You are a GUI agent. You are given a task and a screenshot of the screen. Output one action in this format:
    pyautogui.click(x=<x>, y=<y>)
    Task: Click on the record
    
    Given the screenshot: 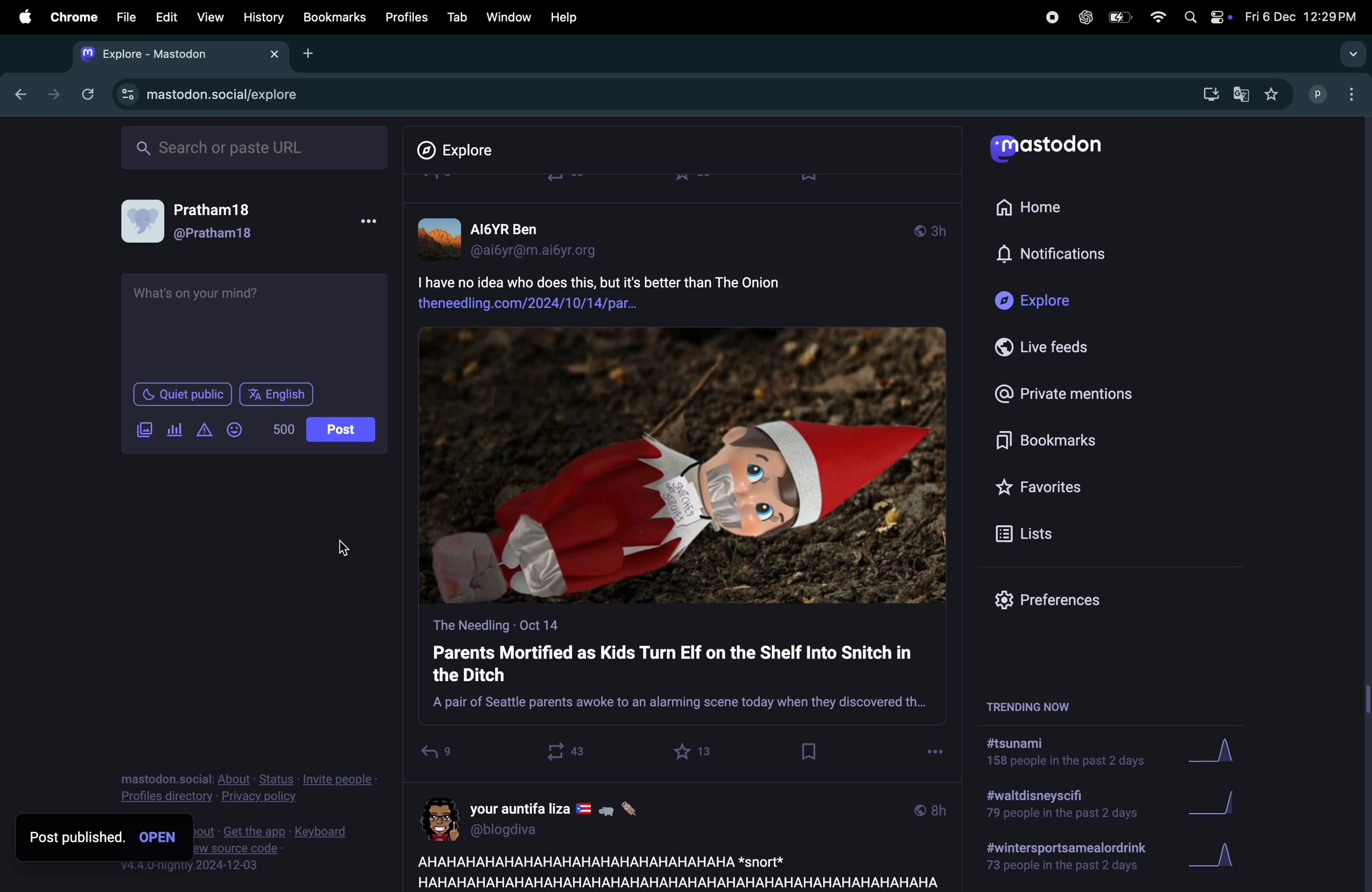 What is the action you would take?
    pyautogui.click(x=1051, y=16)
    